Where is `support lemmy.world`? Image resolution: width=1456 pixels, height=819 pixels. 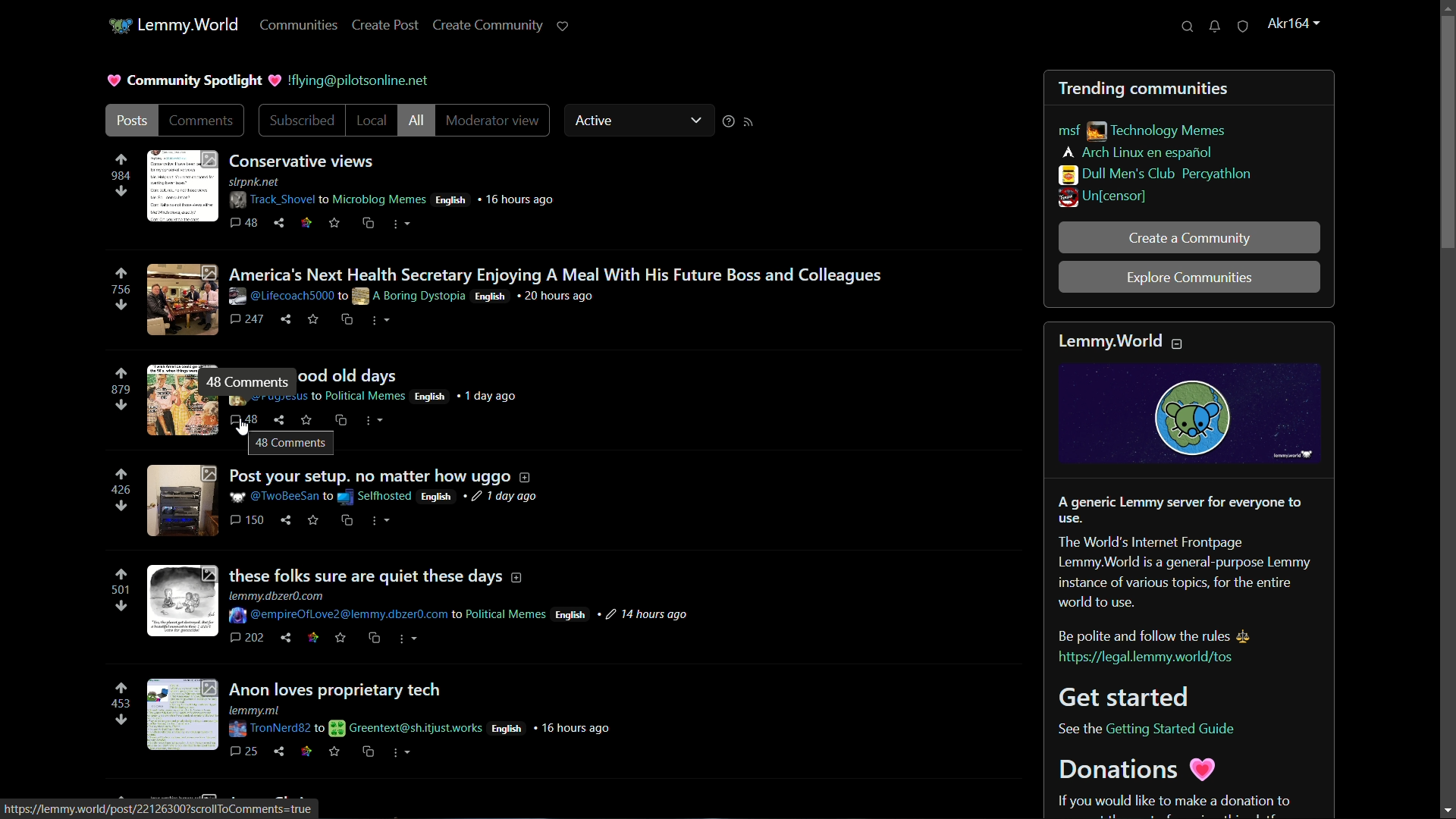
support lemmy.world is located at coordinates (563, 27).